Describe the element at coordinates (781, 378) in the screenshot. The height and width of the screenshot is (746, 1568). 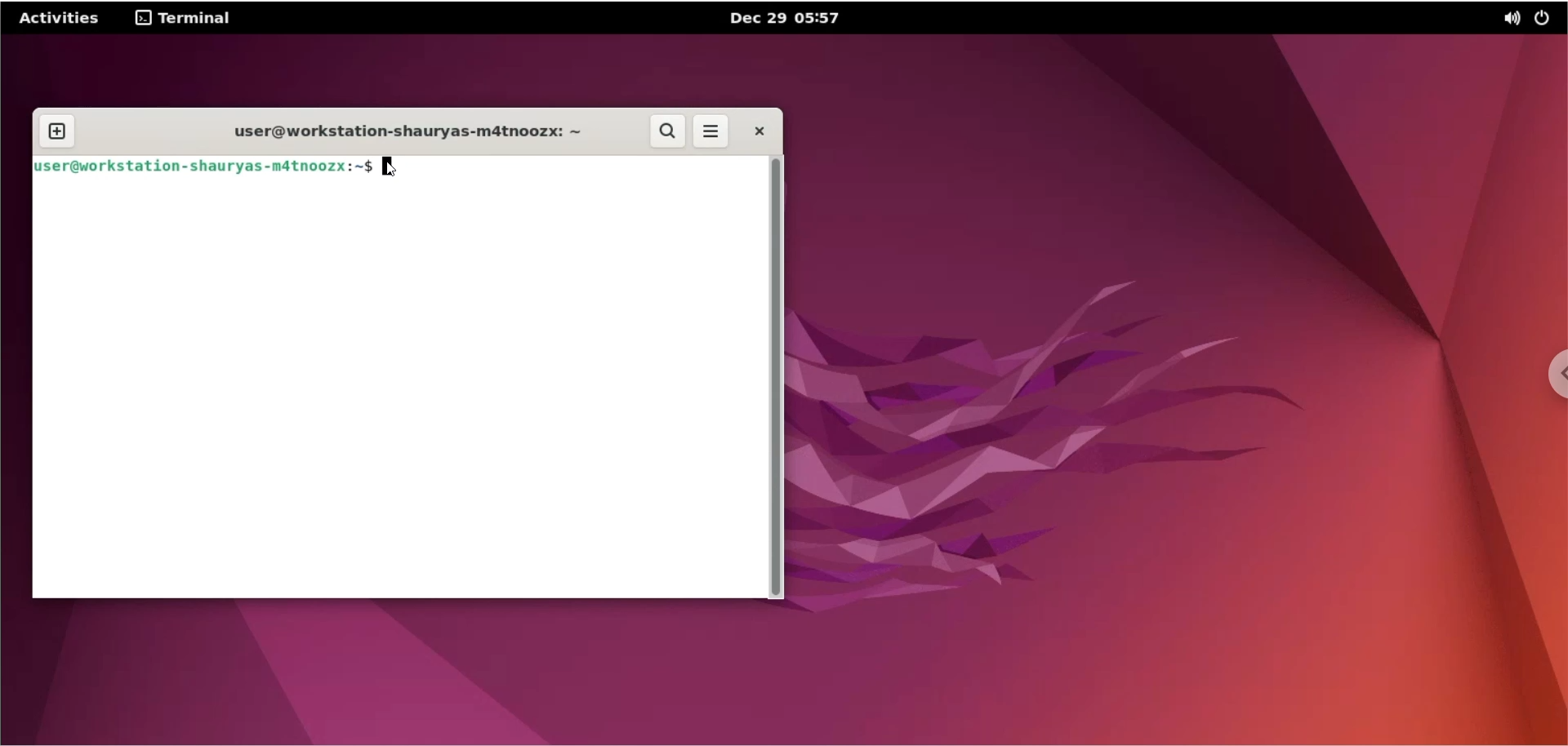
I see `scrollbar navigation` at that location.